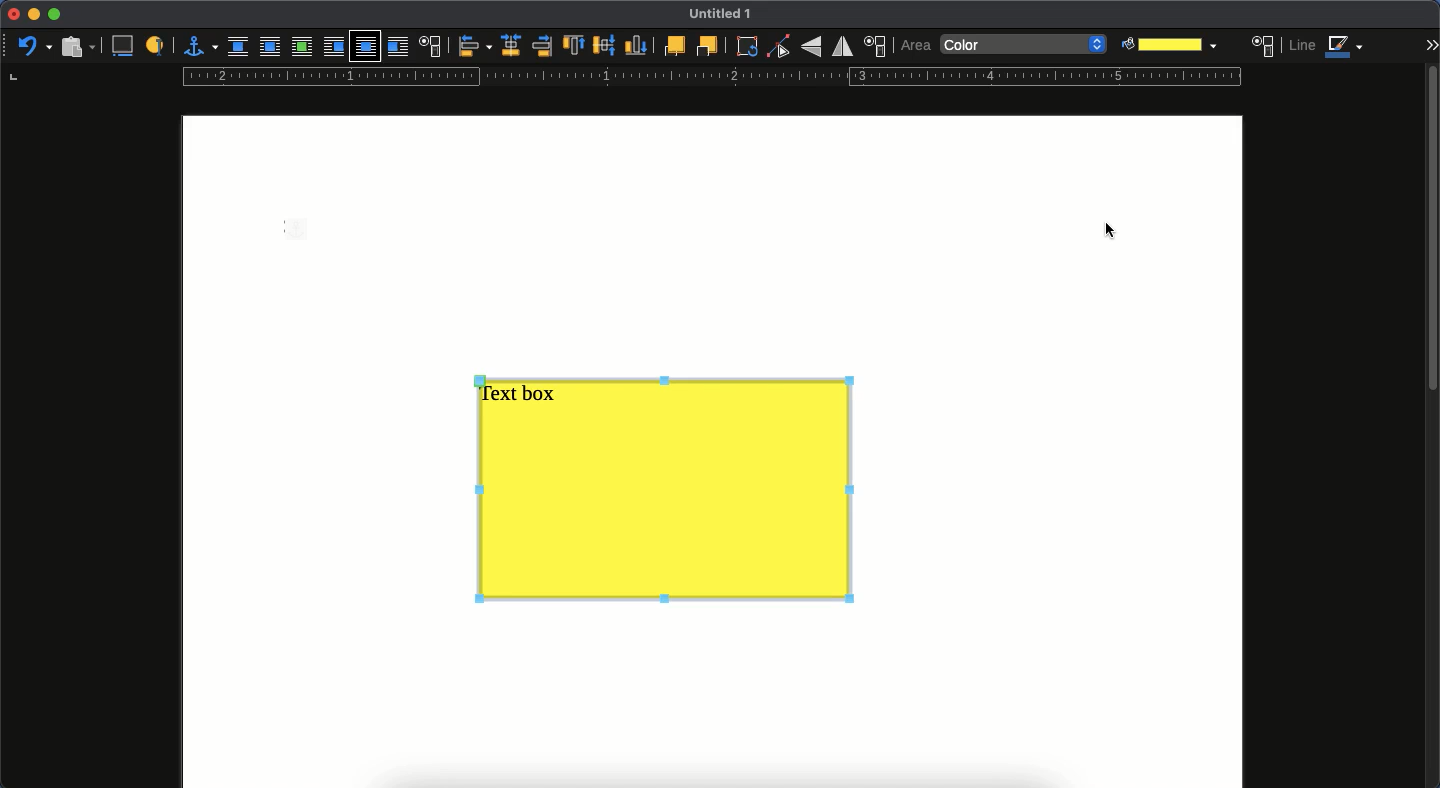 The width and height of the screenshot is (1440, 788). I want to click on a label to identify an object, so click(156, 46).